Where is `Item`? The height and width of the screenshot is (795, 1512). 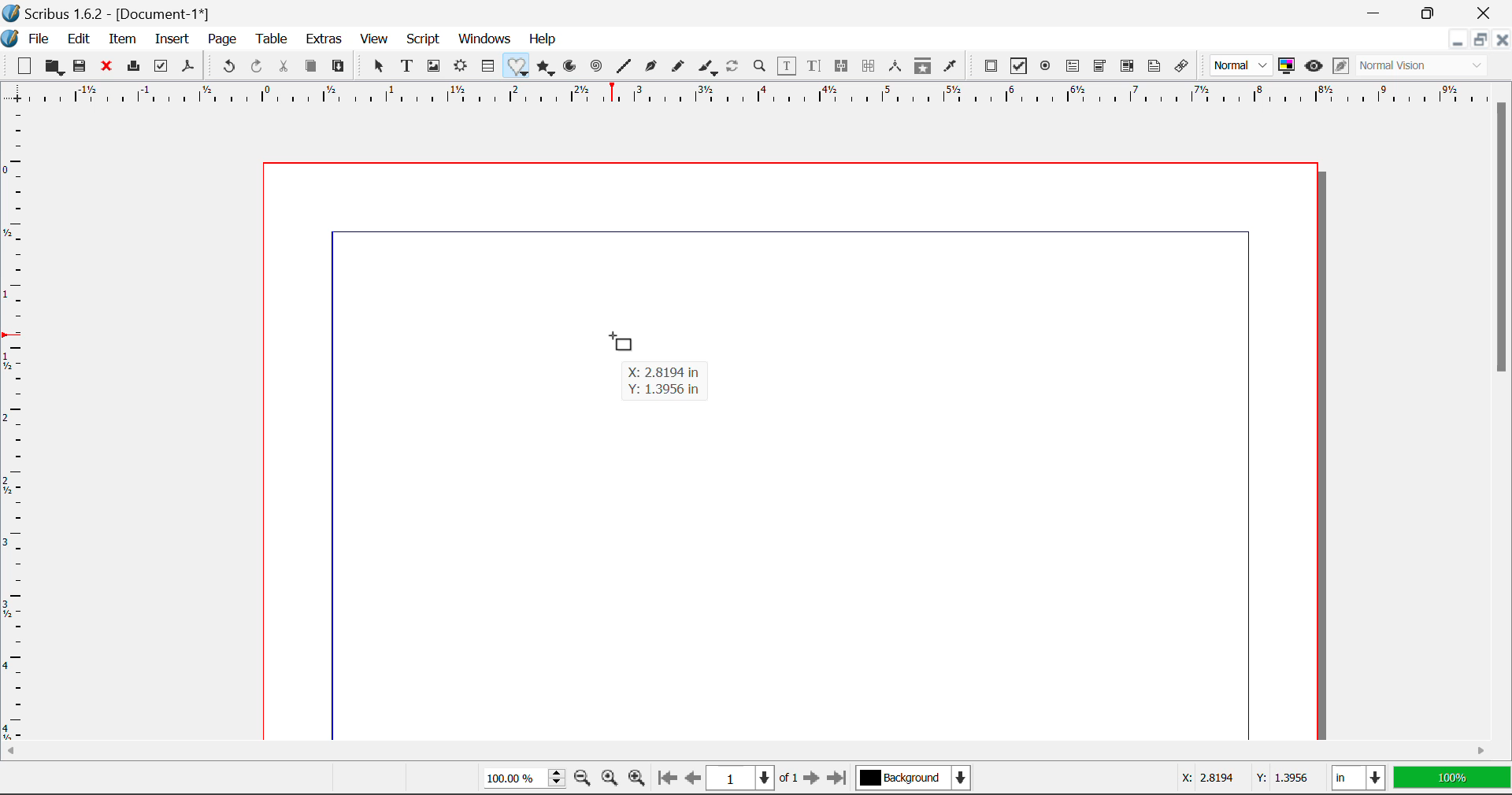
Item is located at coordinates (123, 40).